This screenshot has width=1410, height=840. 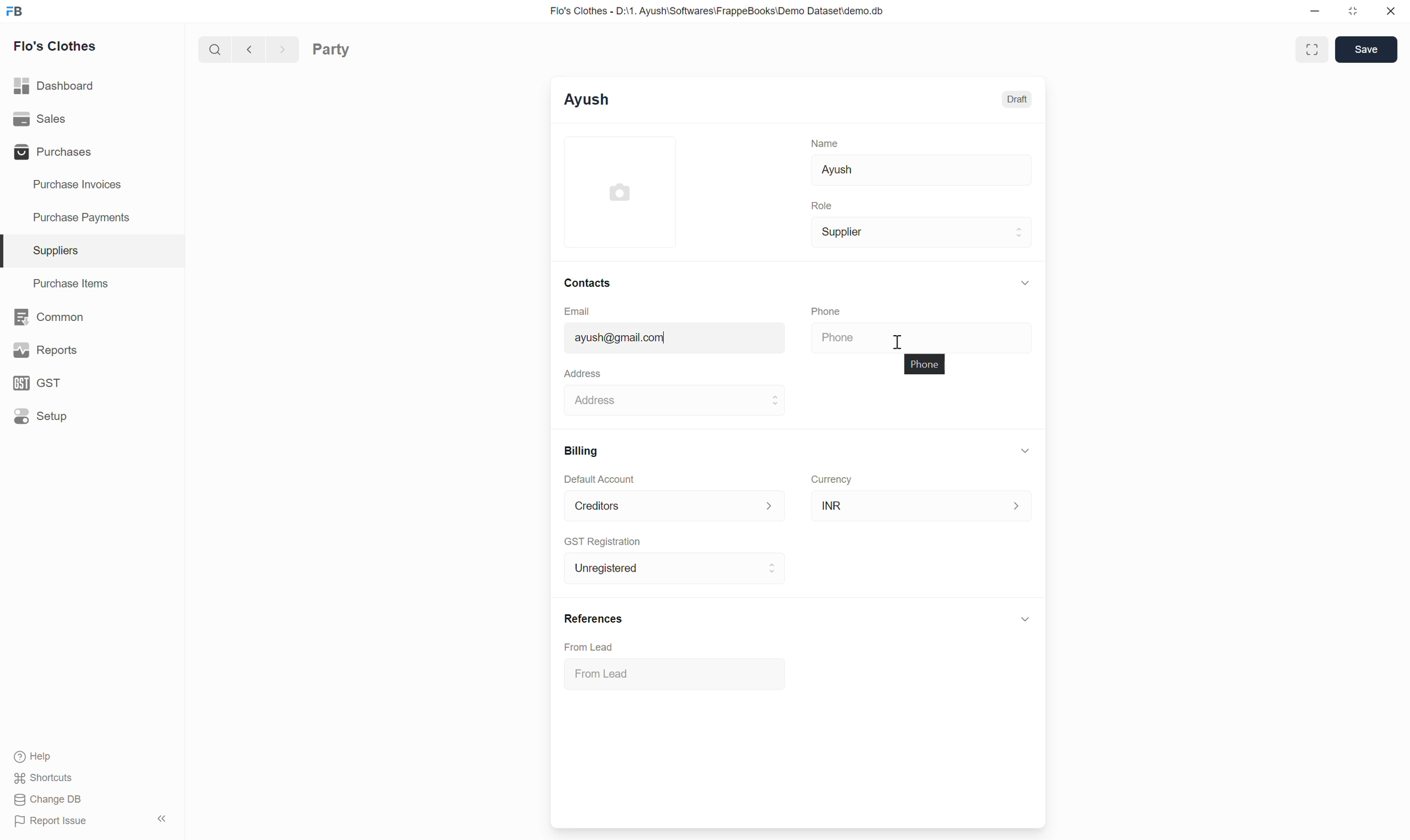 What do you see at coordinates (921, 170) in the screenshot?
I see `Ayush` at bounding box center [921, 170].